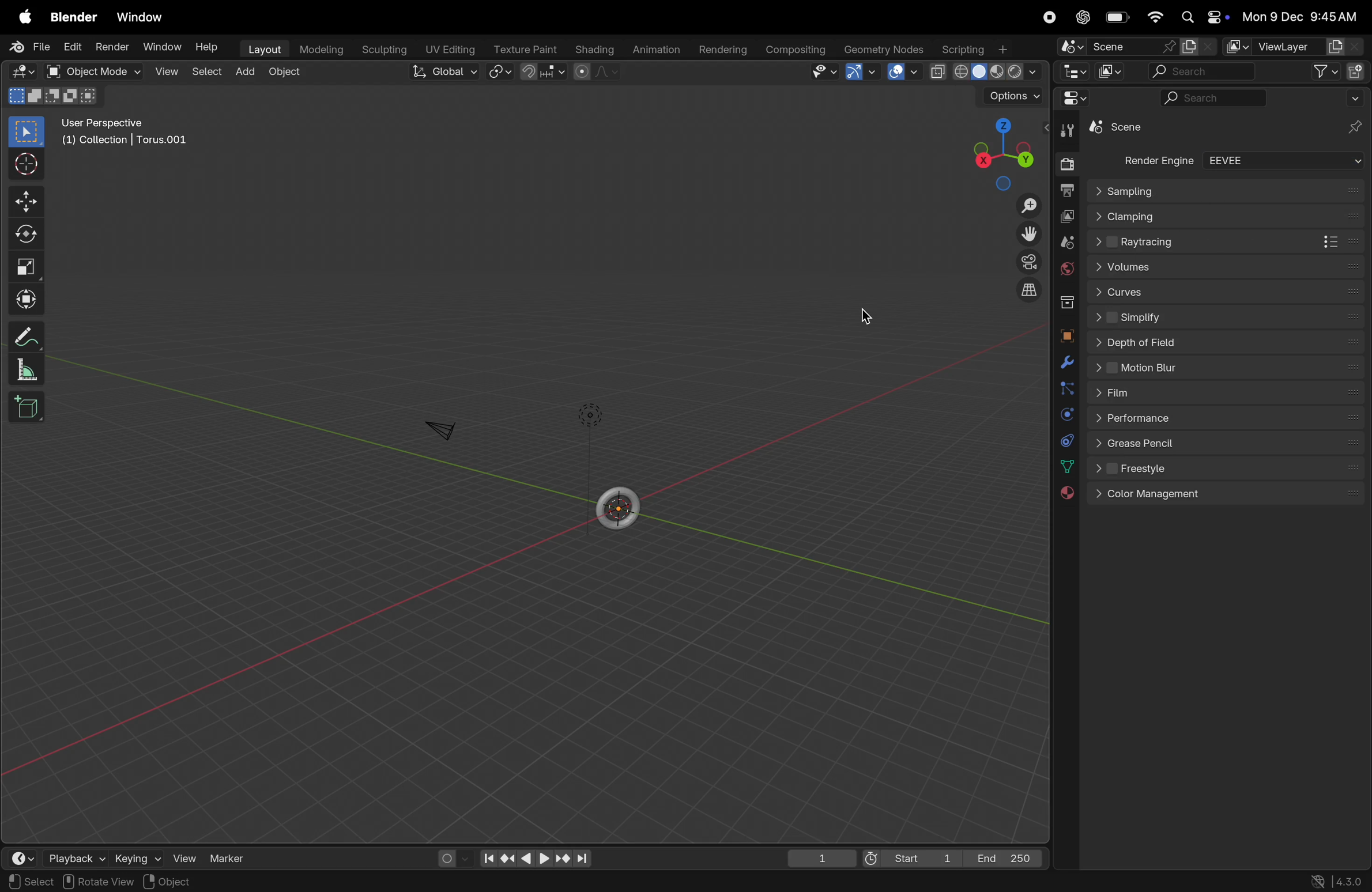 This screenshot has width=1372, height=892. I want to click on physics, so click(1064, 415).